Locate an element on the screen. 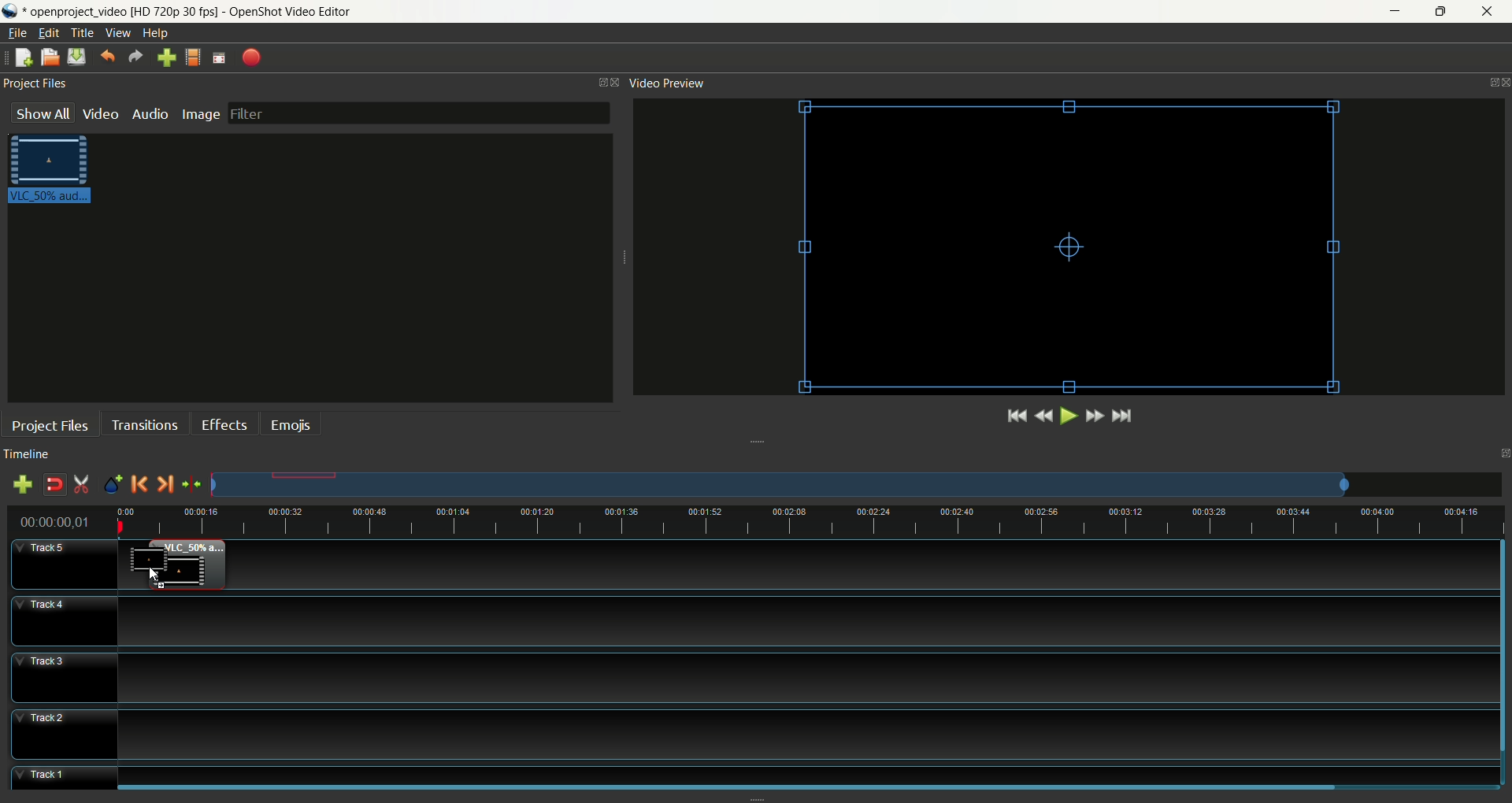 The image size is (1512, 803). minimize is located at coordinates (1397, 10).